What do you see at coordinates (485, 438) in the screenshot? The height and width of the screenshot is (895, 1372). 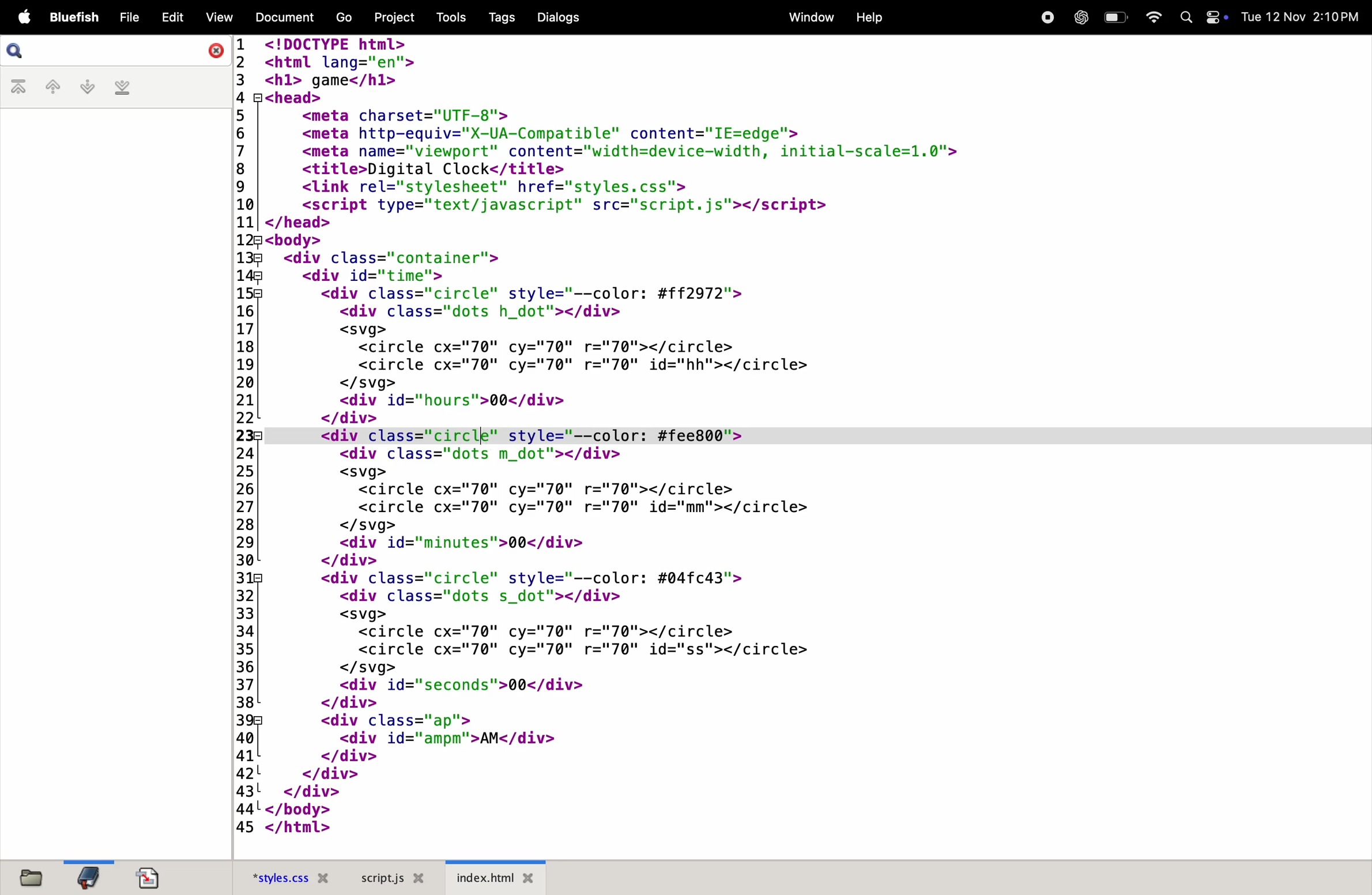 I see `cursor` at bounding box center [485, 438].